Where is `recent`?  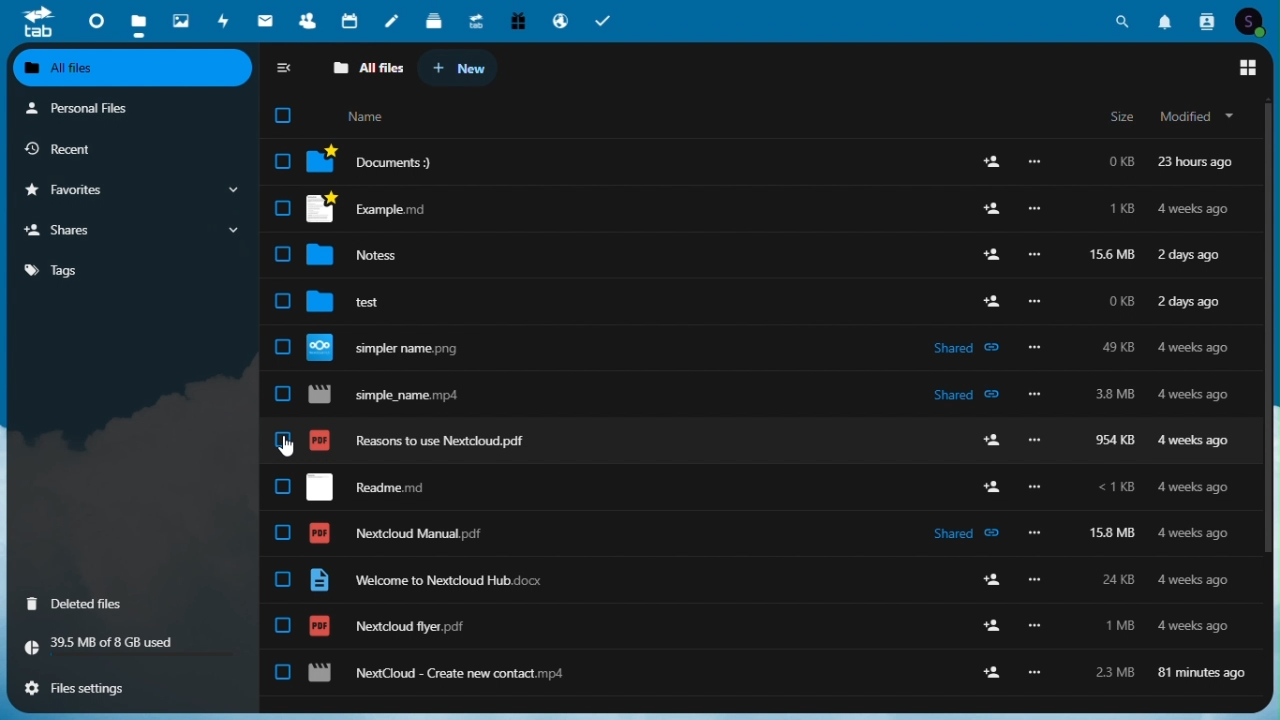
recent is located at coordinates (130, 149).